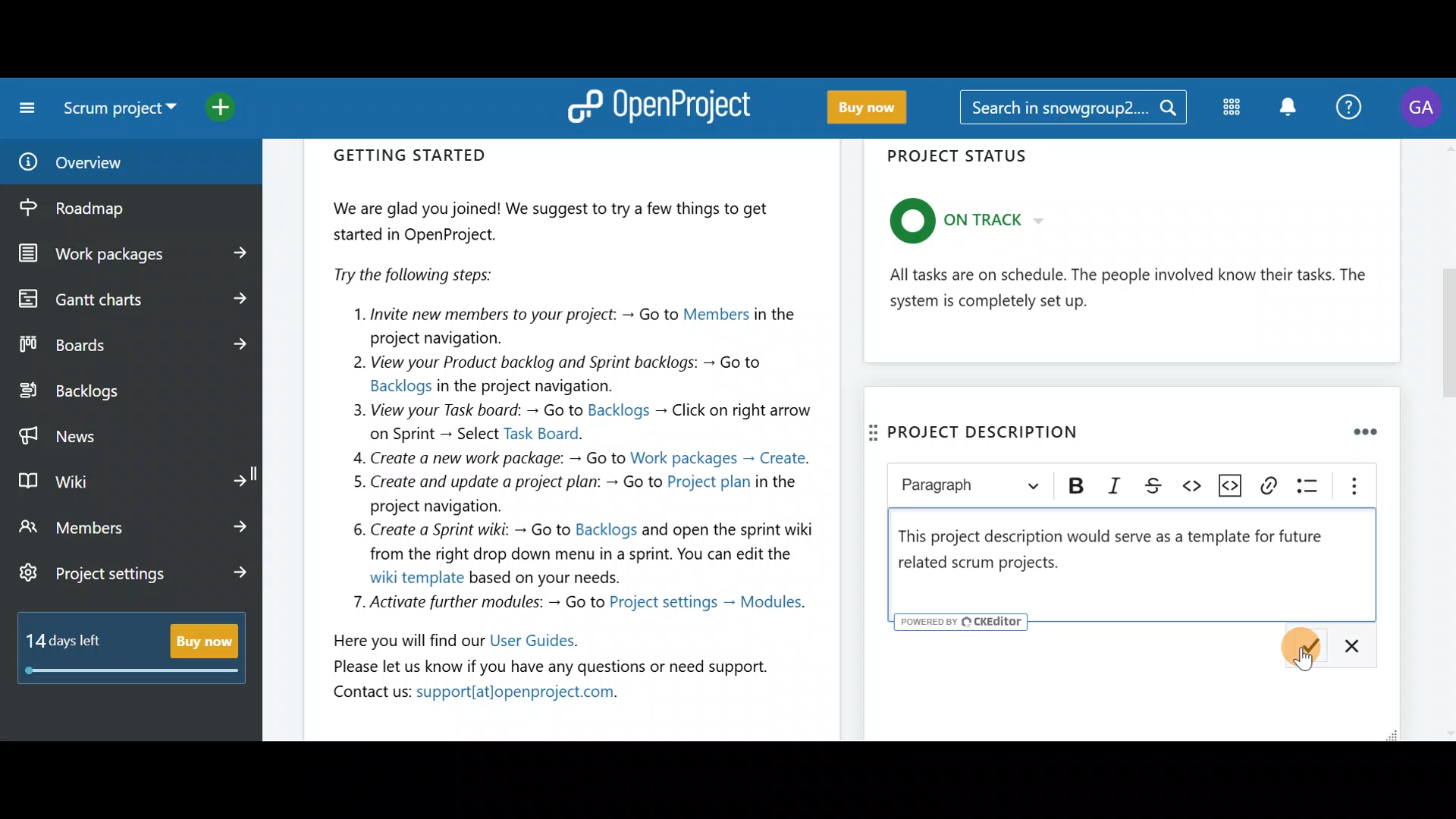 This screenshot has height=819, width=1456. Describe the element at coordinates (1309, 492) in the screenshot. I see `Bulleted list` at that location.